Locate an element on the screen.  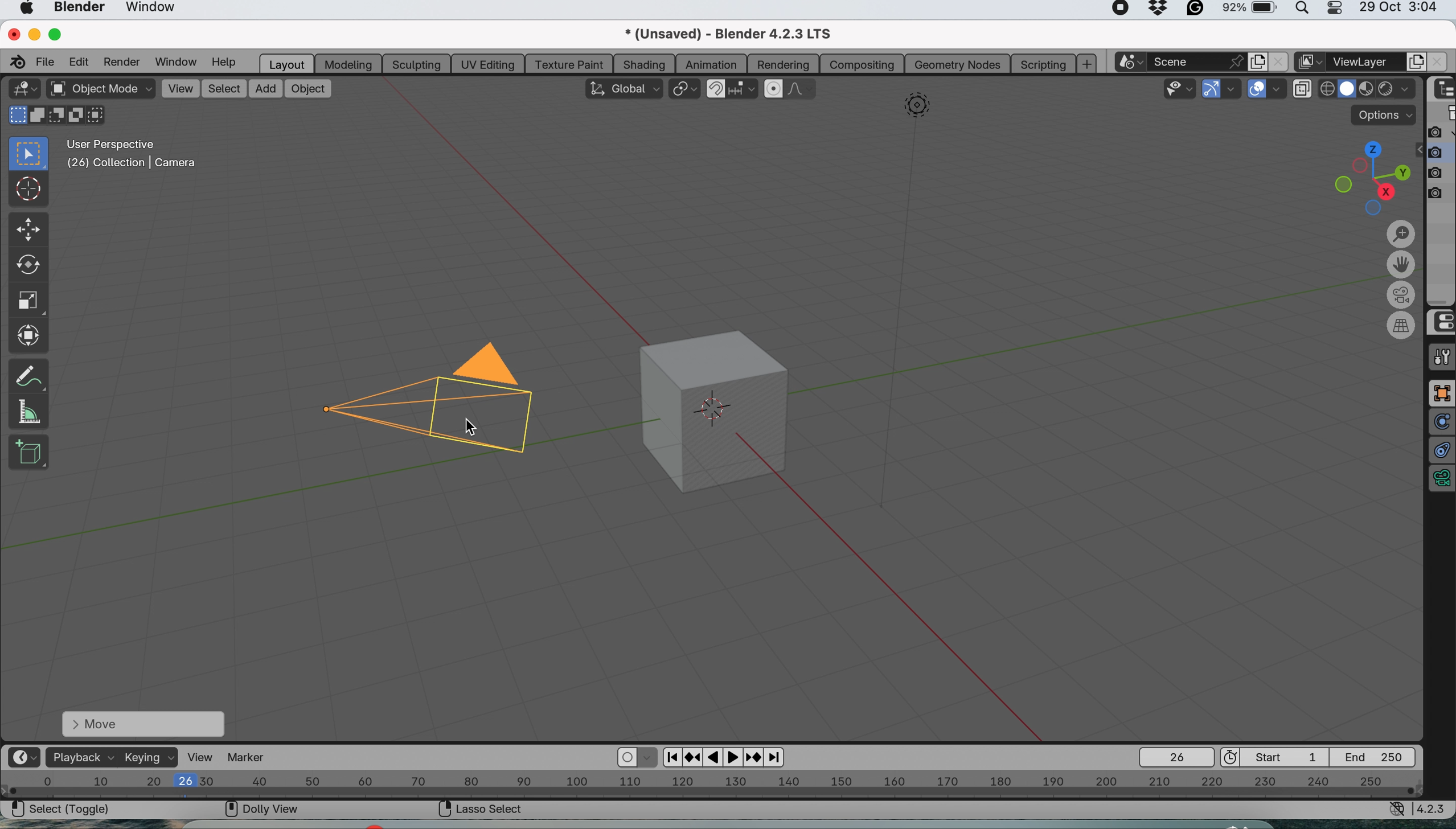
horizontal scale is located at coordinates (712, 786).